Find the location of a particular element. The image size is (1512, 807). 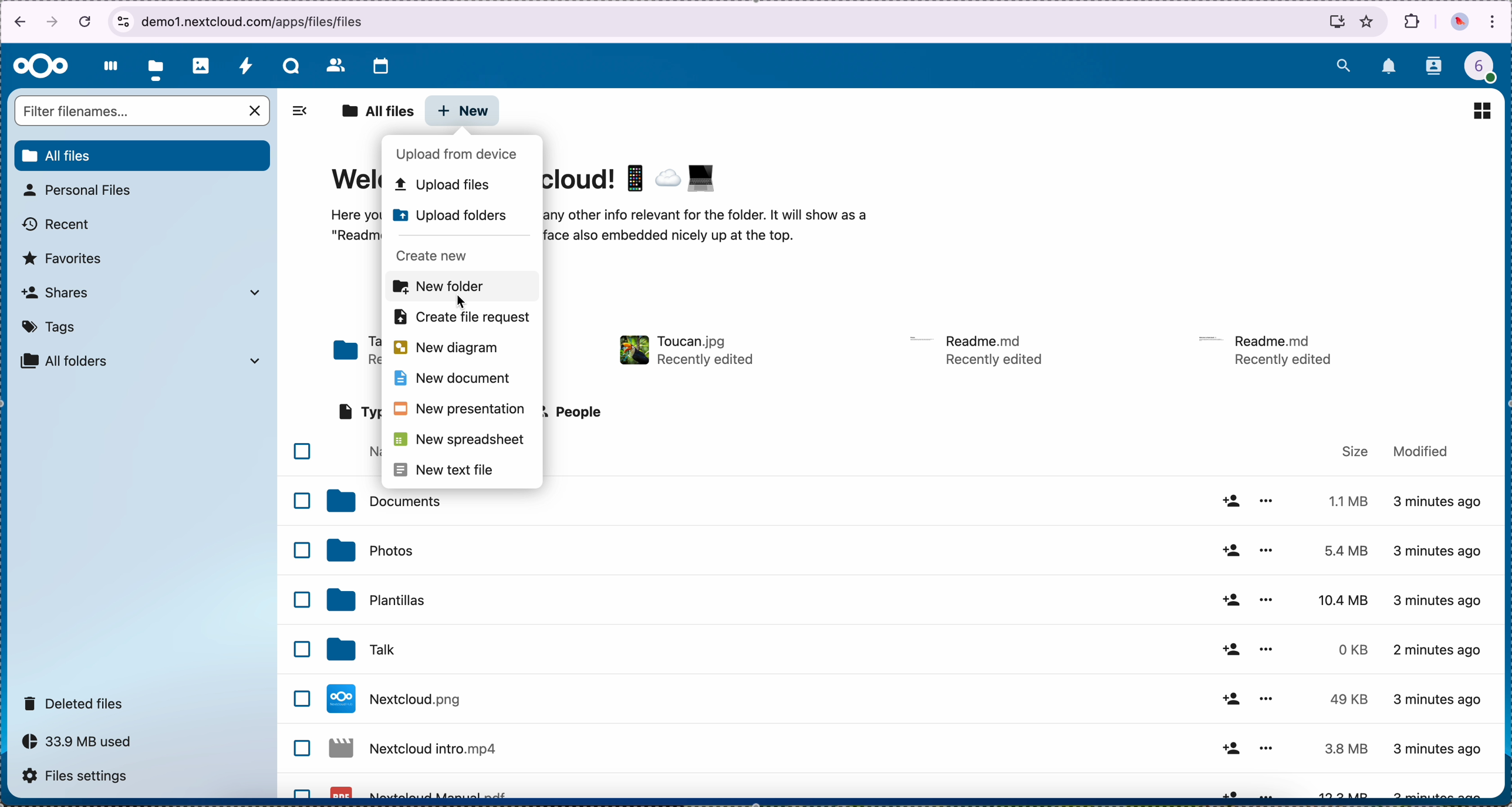

profile is located at coordinates (1487, 70).